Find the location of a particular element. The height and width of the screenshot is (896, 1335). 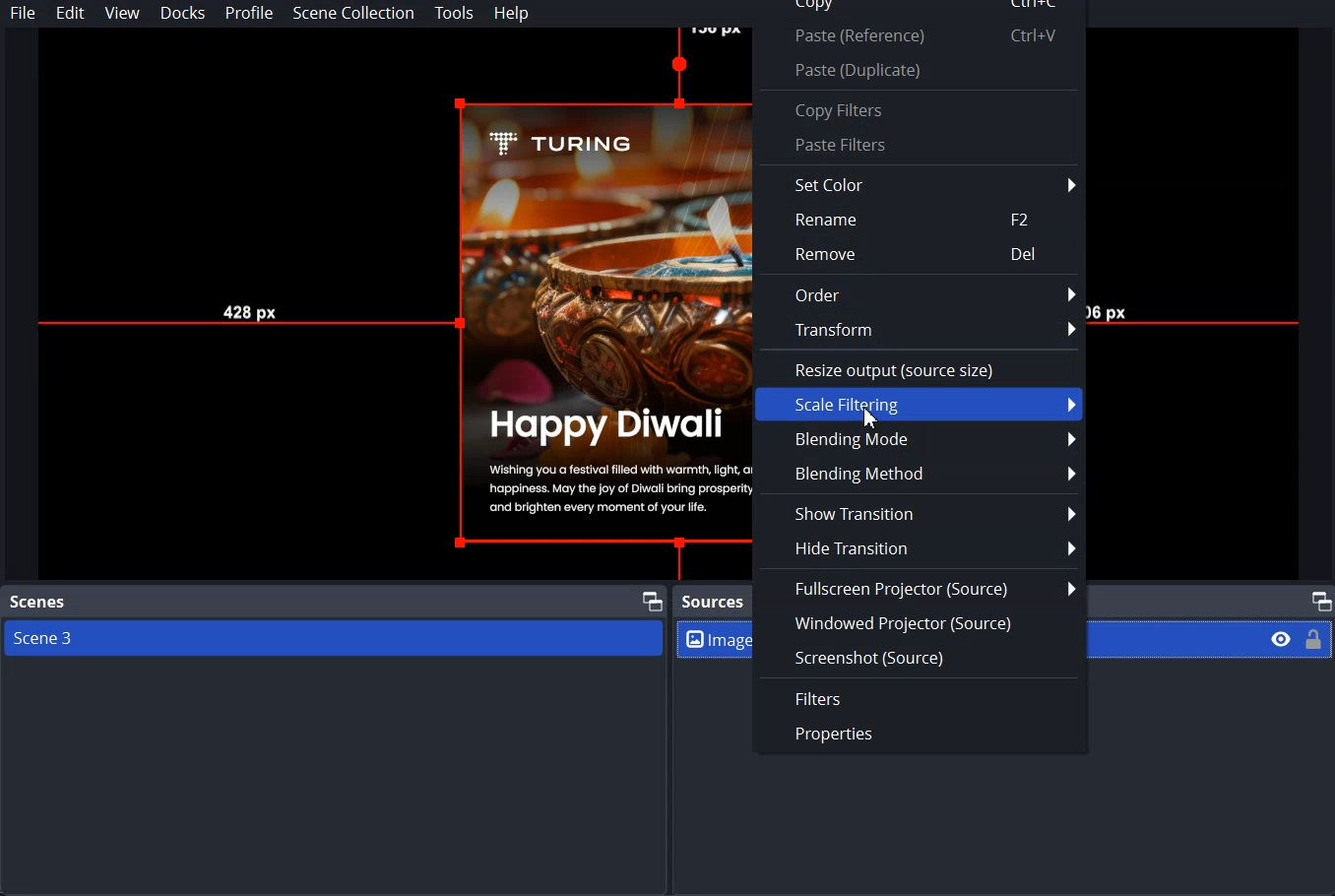

Transform is located at coordinates (922, 331).